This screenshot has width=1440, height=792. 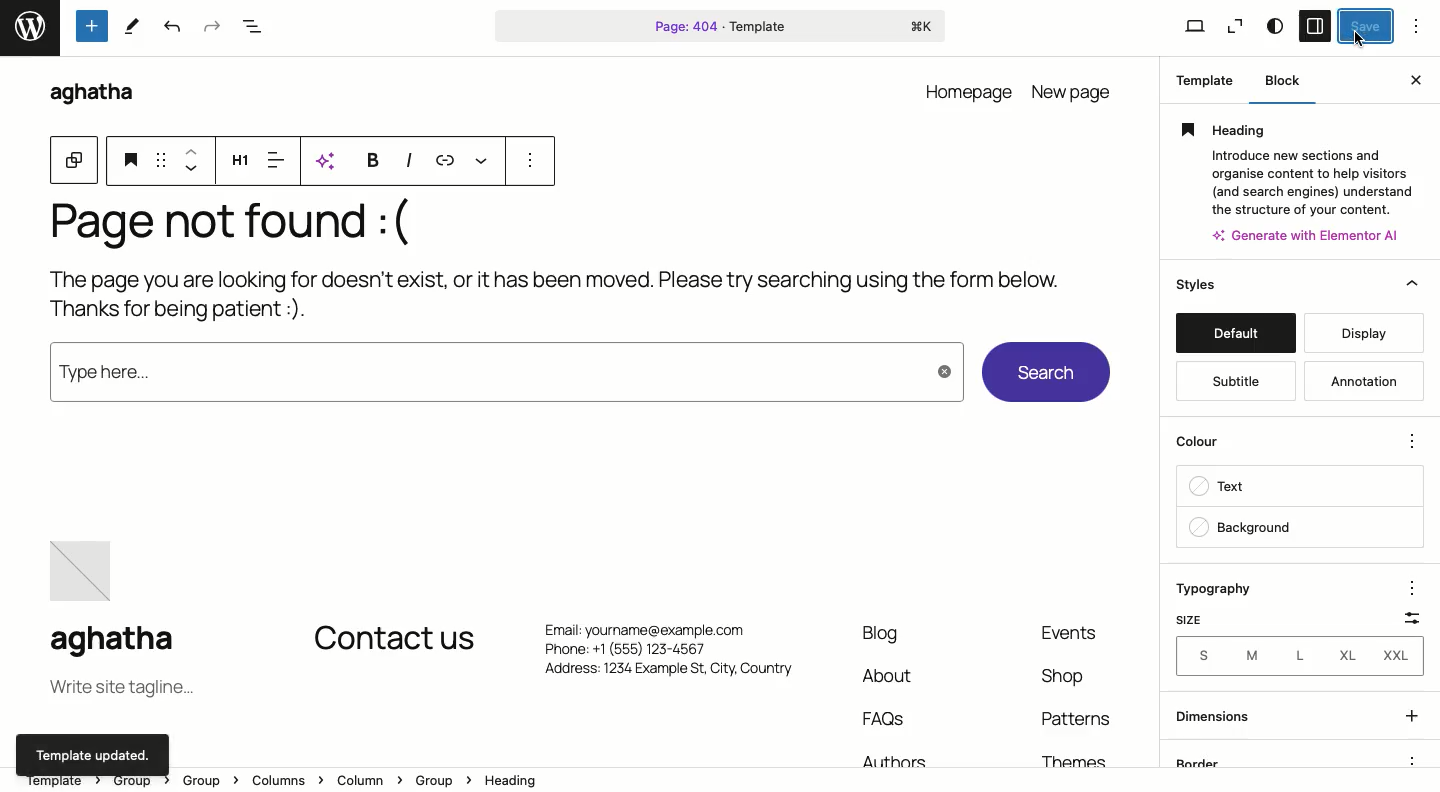 I want to click on Close, so click(x=1418, y=81).